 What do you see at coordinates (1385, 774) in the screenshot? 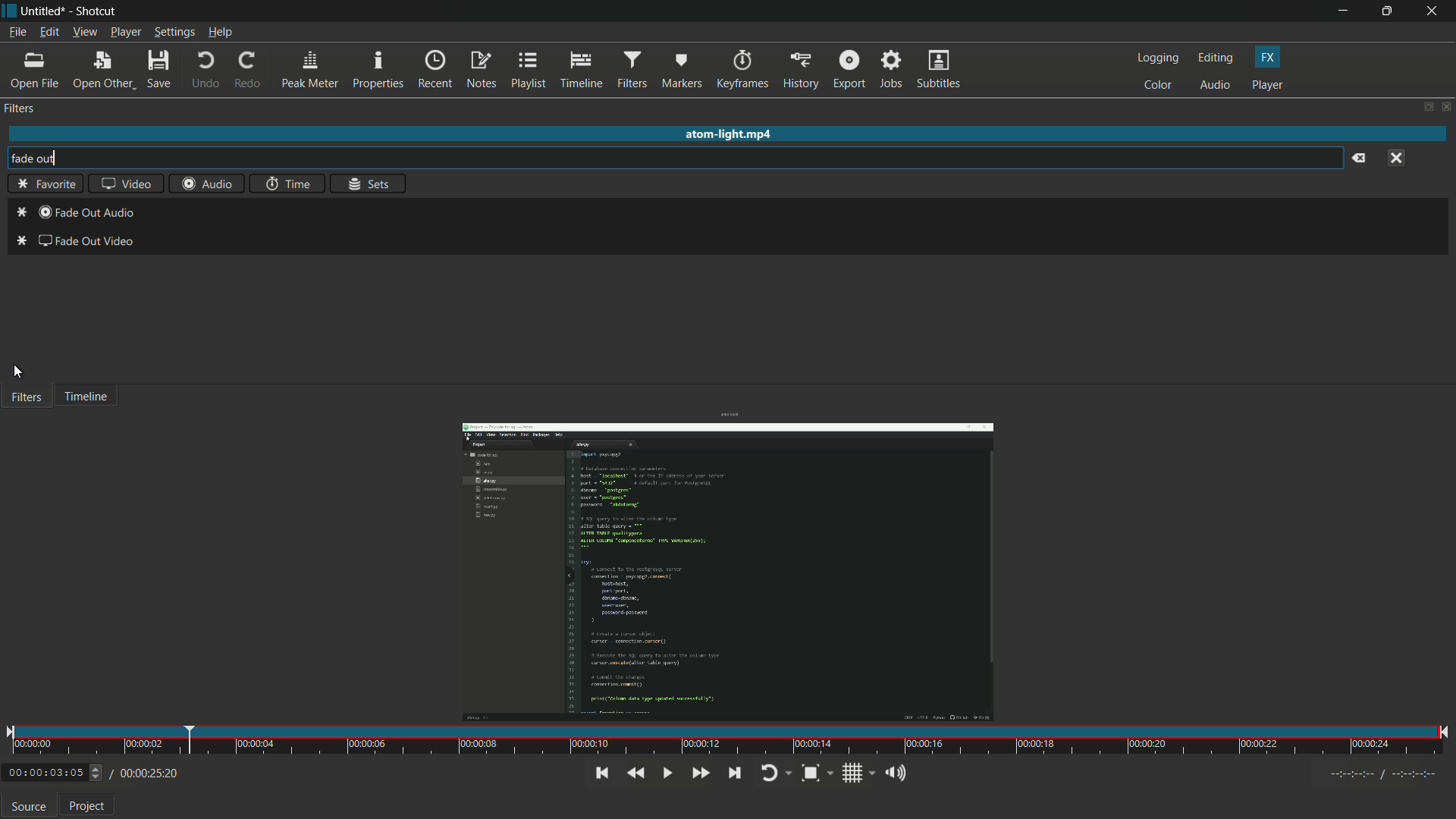
I see `time register` at bounding box center [1385, 774].